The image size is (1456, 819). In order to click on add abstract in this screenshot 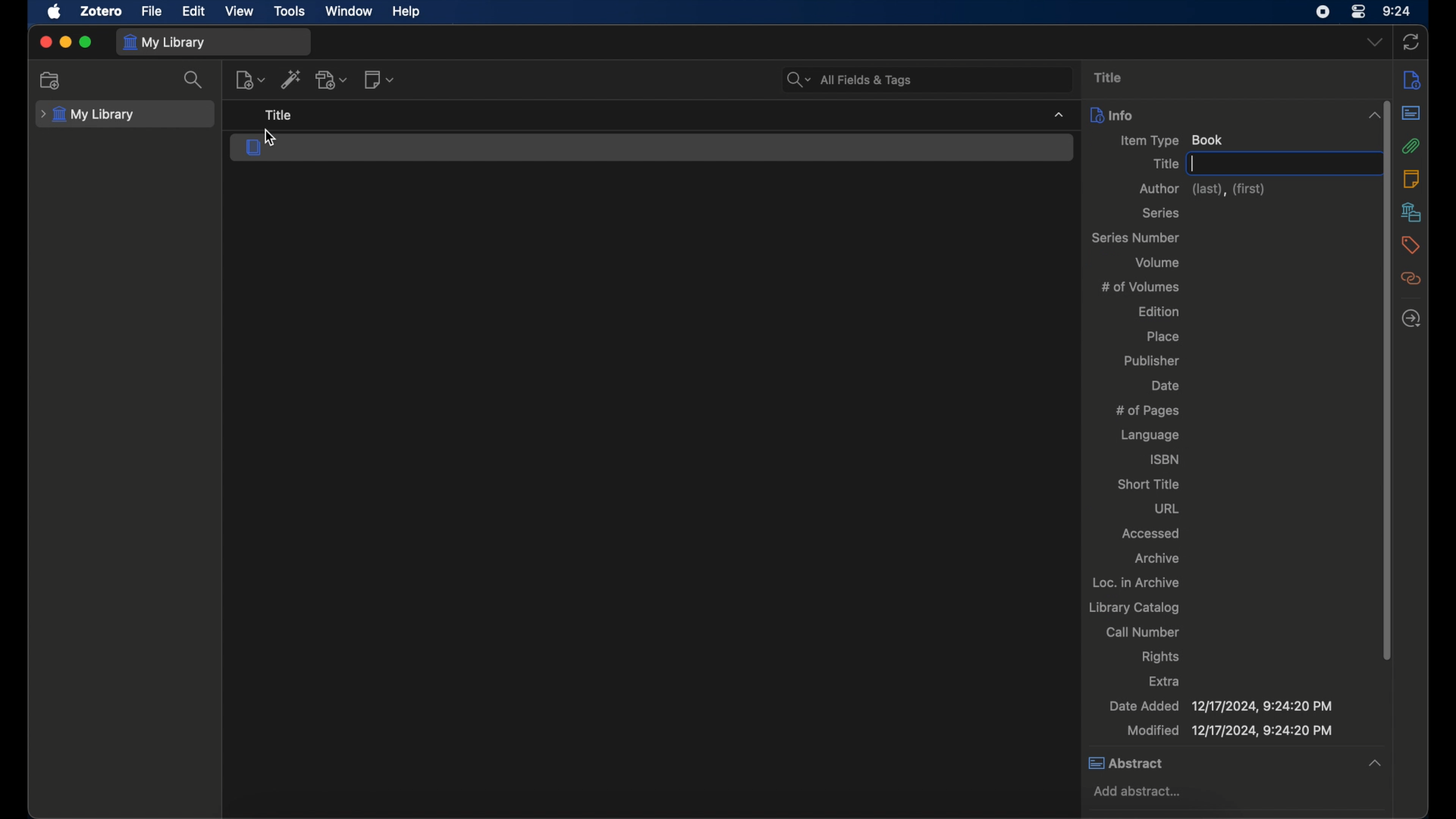, I will do `click(1143, 791)`.